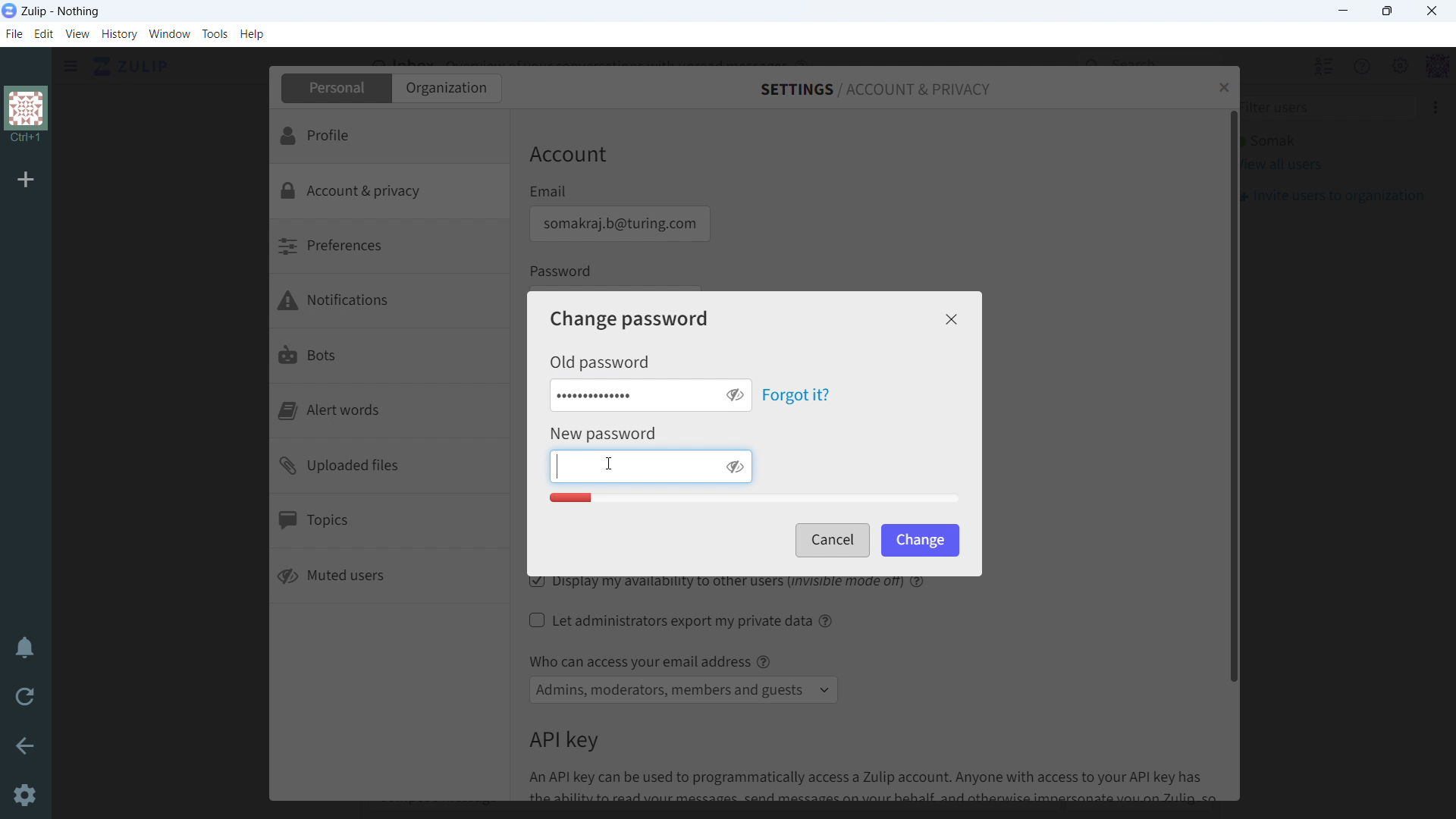 This screenshot has width=1456, height=819. Describe the element at coordinates (952, 319) in the screenshot. I see `close` at that location.